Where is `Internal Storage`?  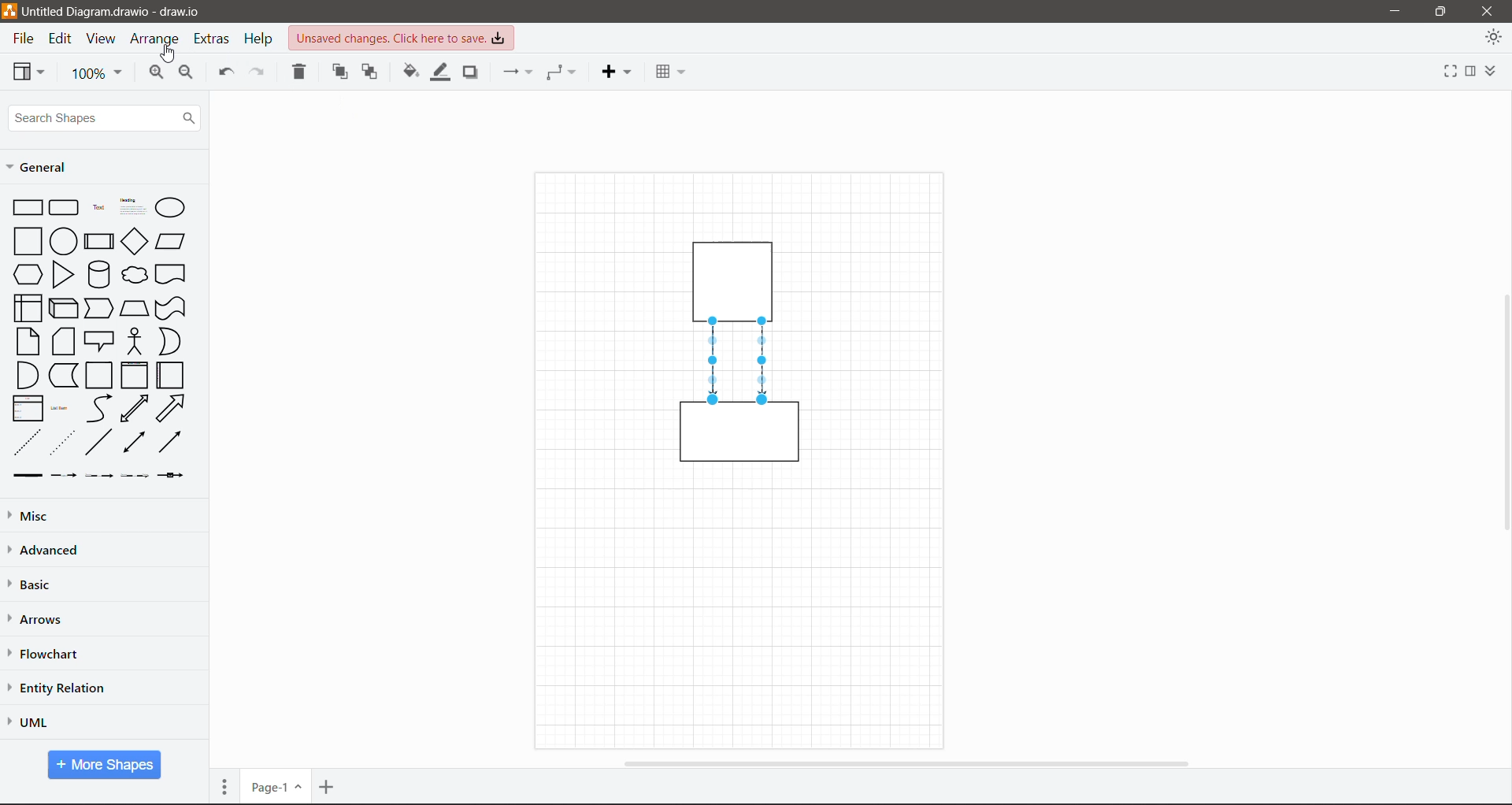
Internal Storage is located at coordinates (26, 307).